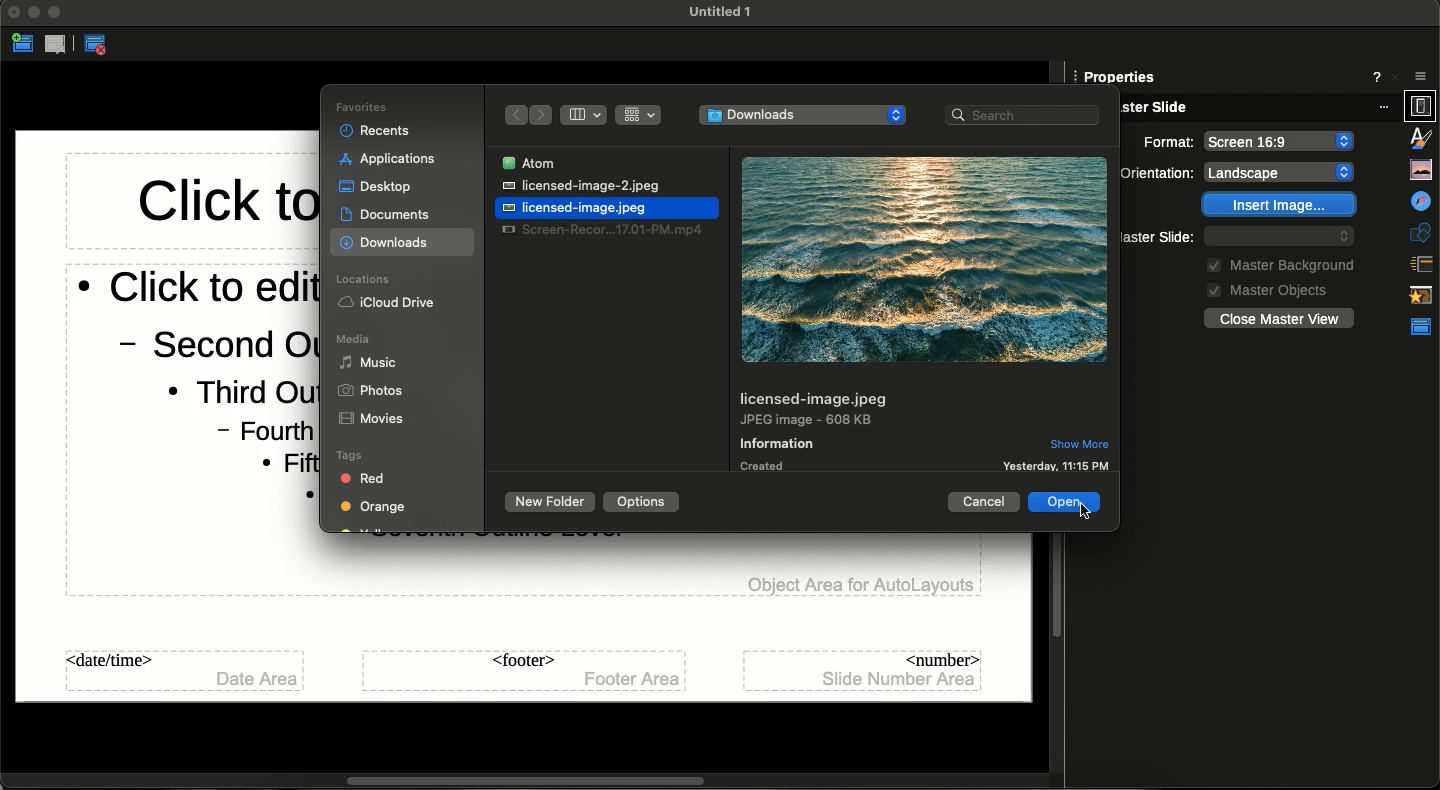  Describe the element at coordinates (1280, 236) in the screenshot. I see `Default` at that location.